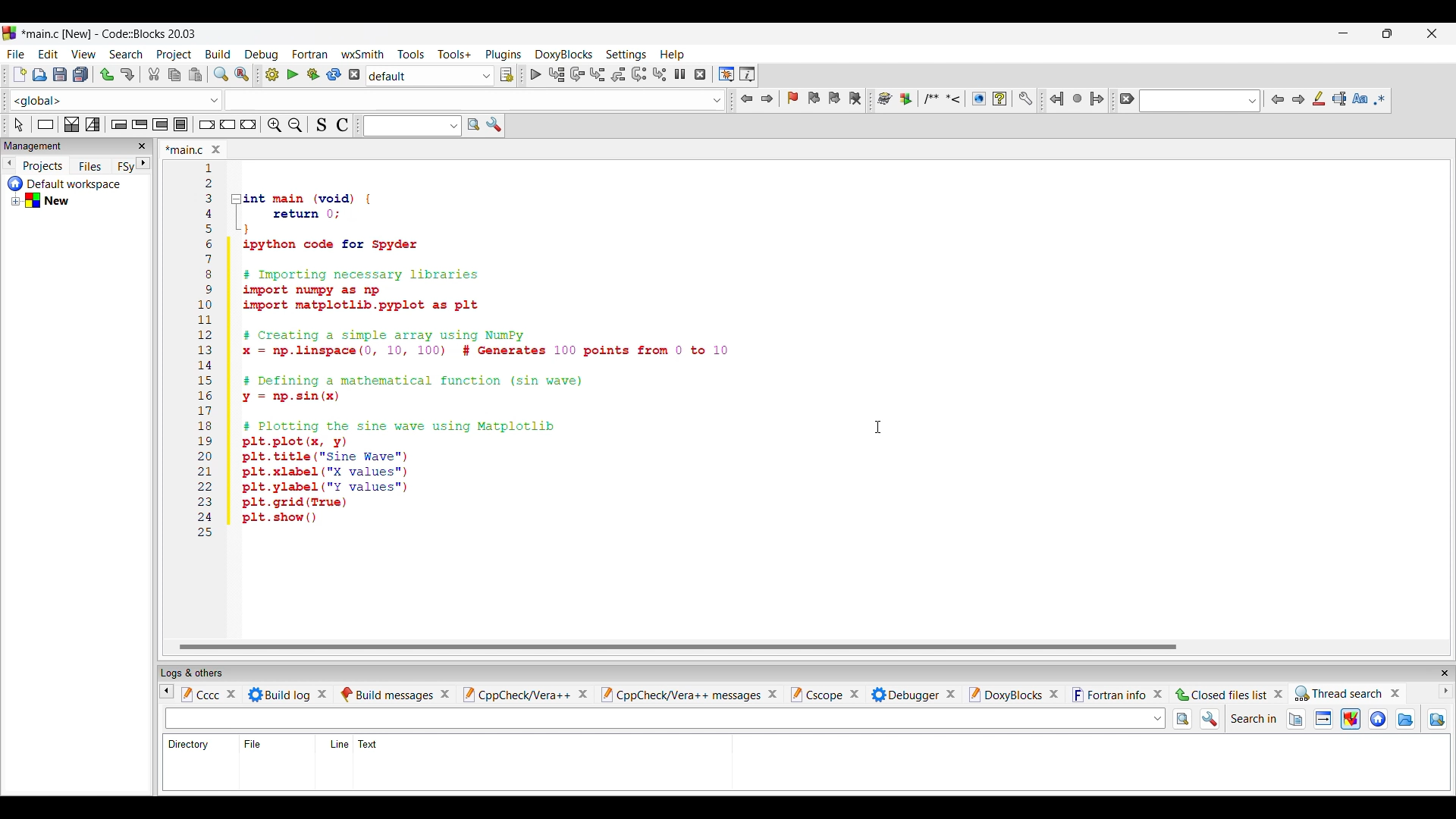  I want to click on Open, so click(39, 74).